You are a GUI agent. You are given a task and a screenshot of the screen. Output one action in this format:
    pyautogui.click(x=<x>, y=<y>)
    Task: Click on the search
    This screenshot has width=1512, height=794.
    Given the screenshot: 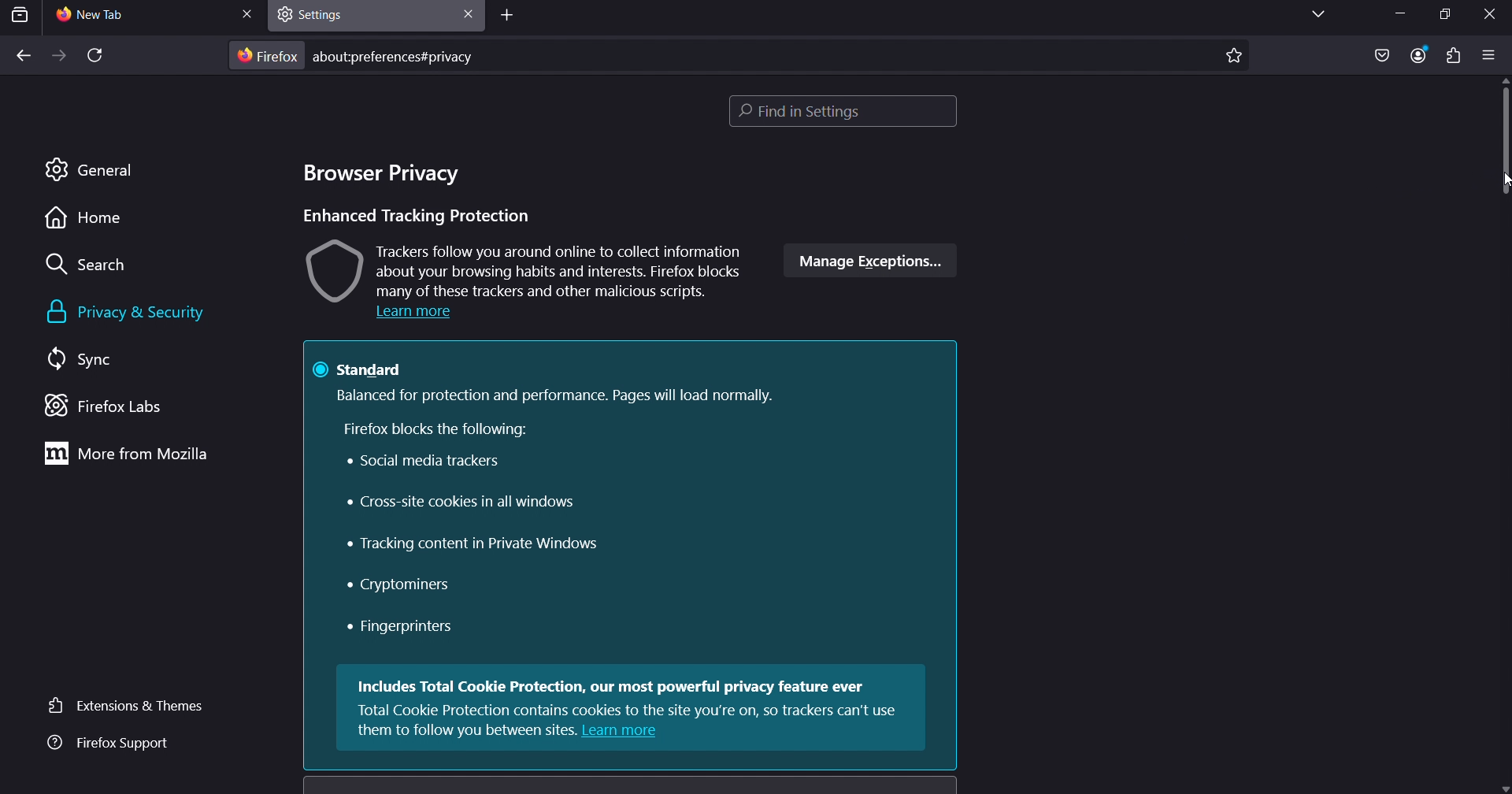 What is the action you would take?
    pyautogui.click(x=94, y=267)
    